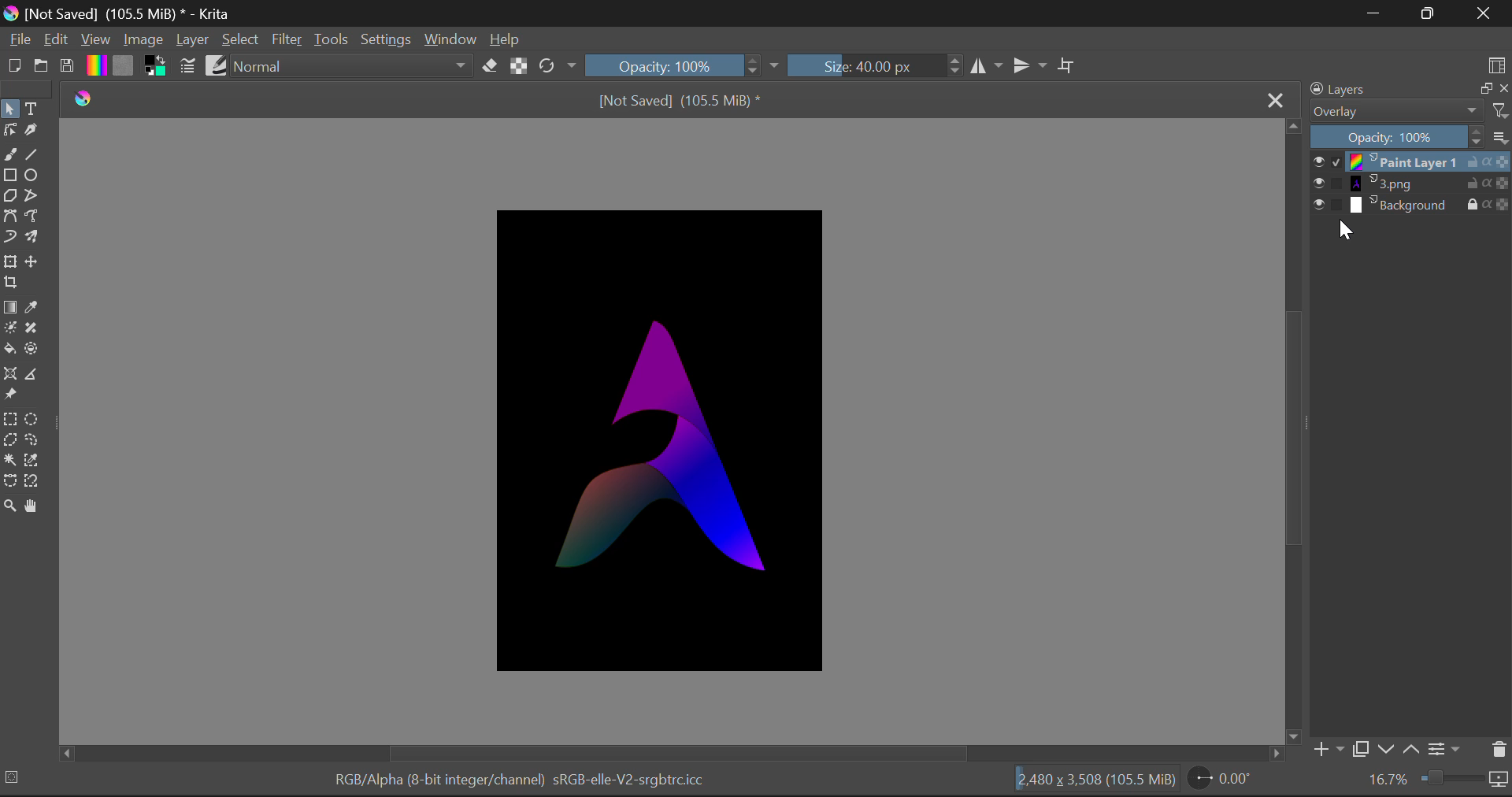 This screenshot has height=797, width=1512. I want to click on Transparency , so click(1503, 183).